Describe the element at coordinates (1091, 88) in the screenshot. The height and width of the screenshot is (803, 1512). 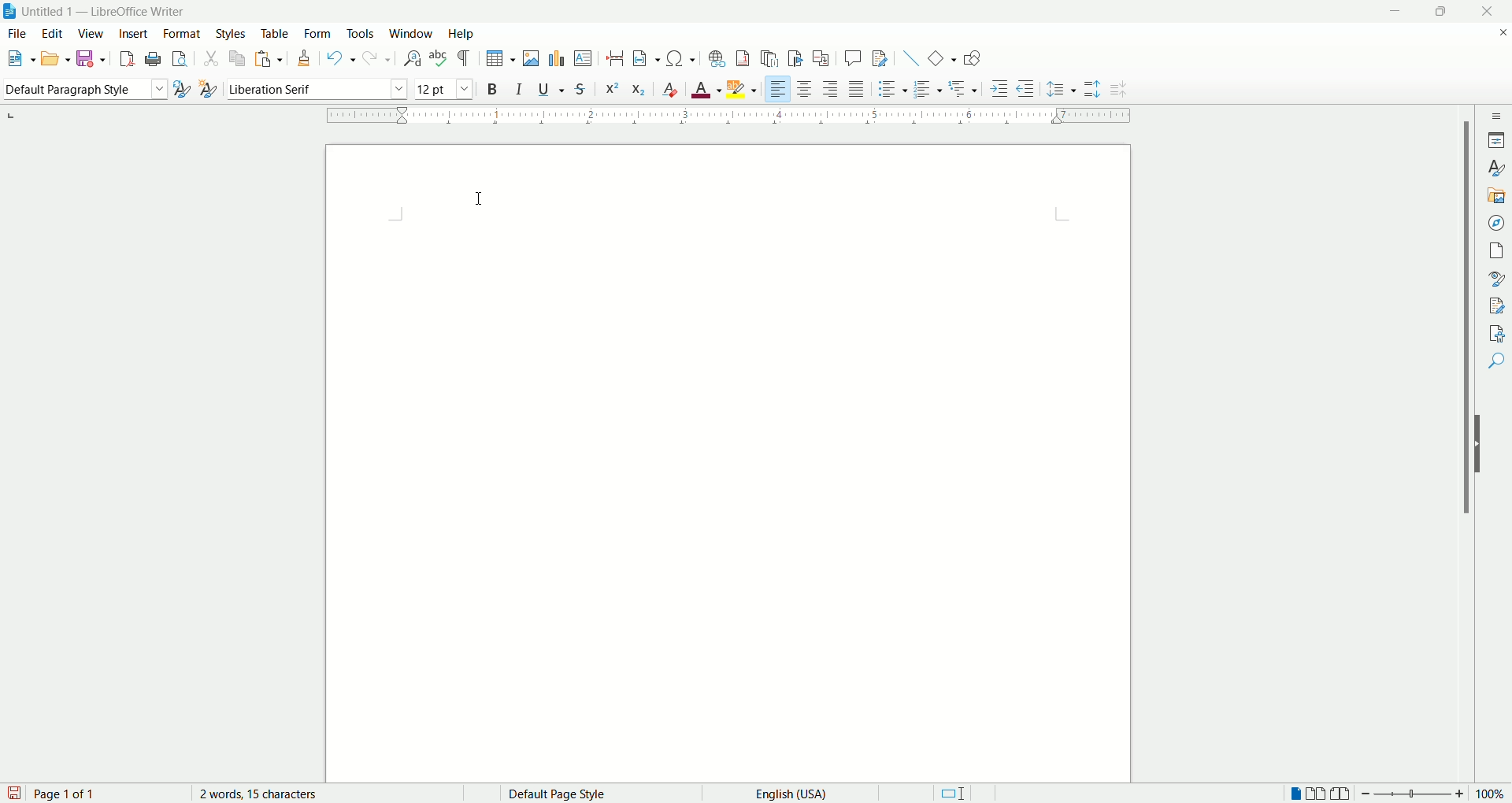
I see `increase paragraph spacing` at that location.